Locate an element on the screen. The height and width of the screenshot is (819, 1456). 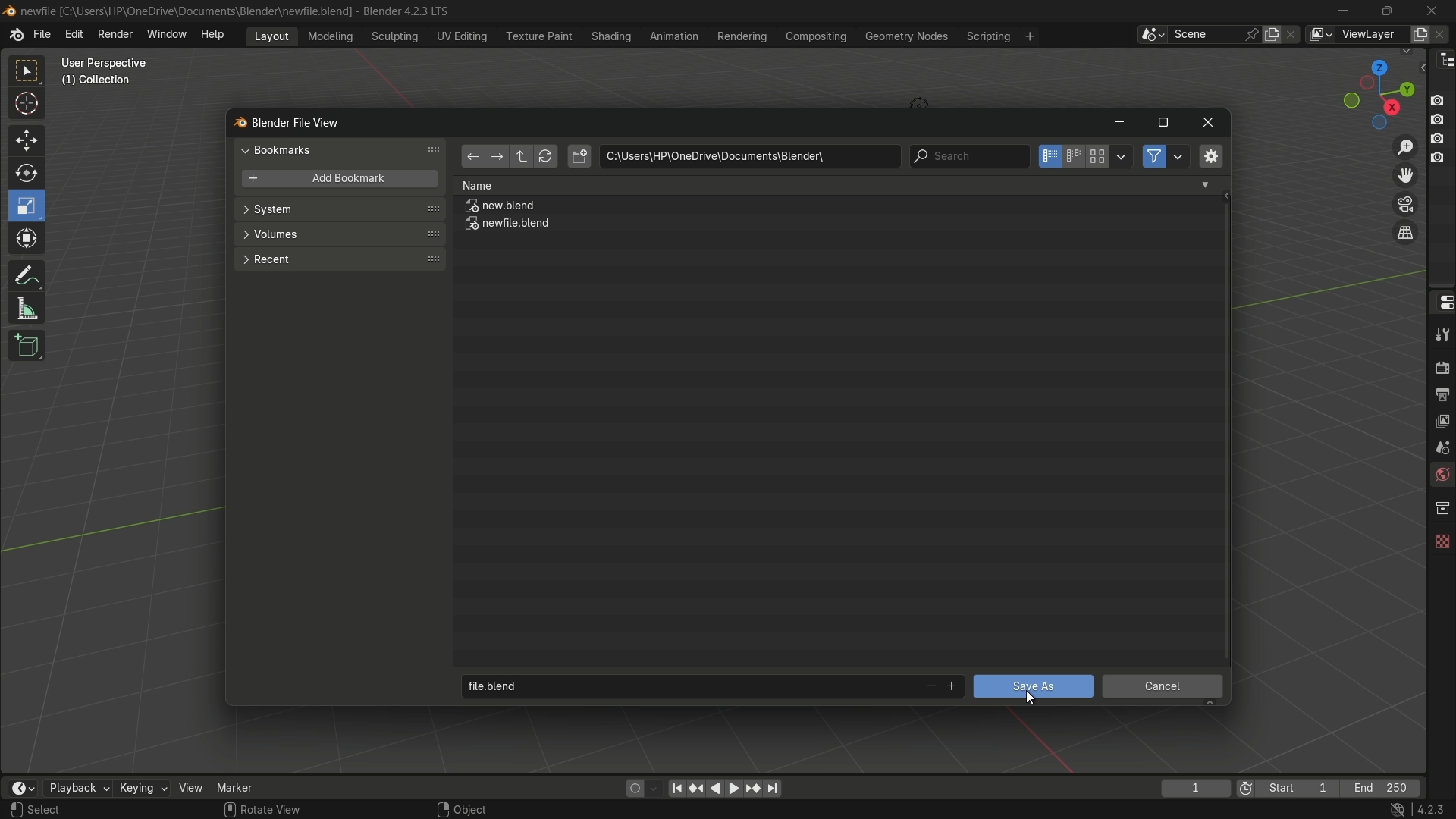
tools is located at coordinates (1441, 334).